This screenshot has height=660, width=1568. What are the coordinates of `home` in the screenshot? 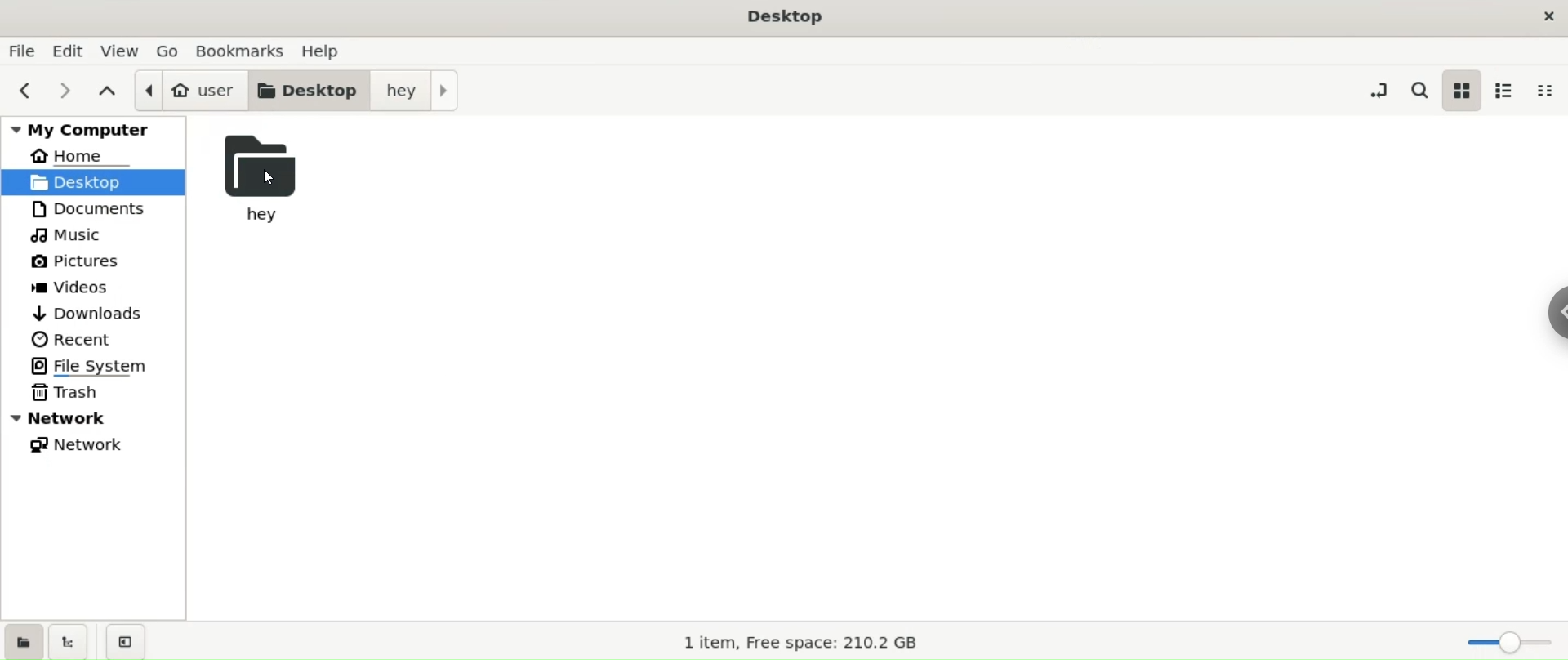 It's located at (93, 156).